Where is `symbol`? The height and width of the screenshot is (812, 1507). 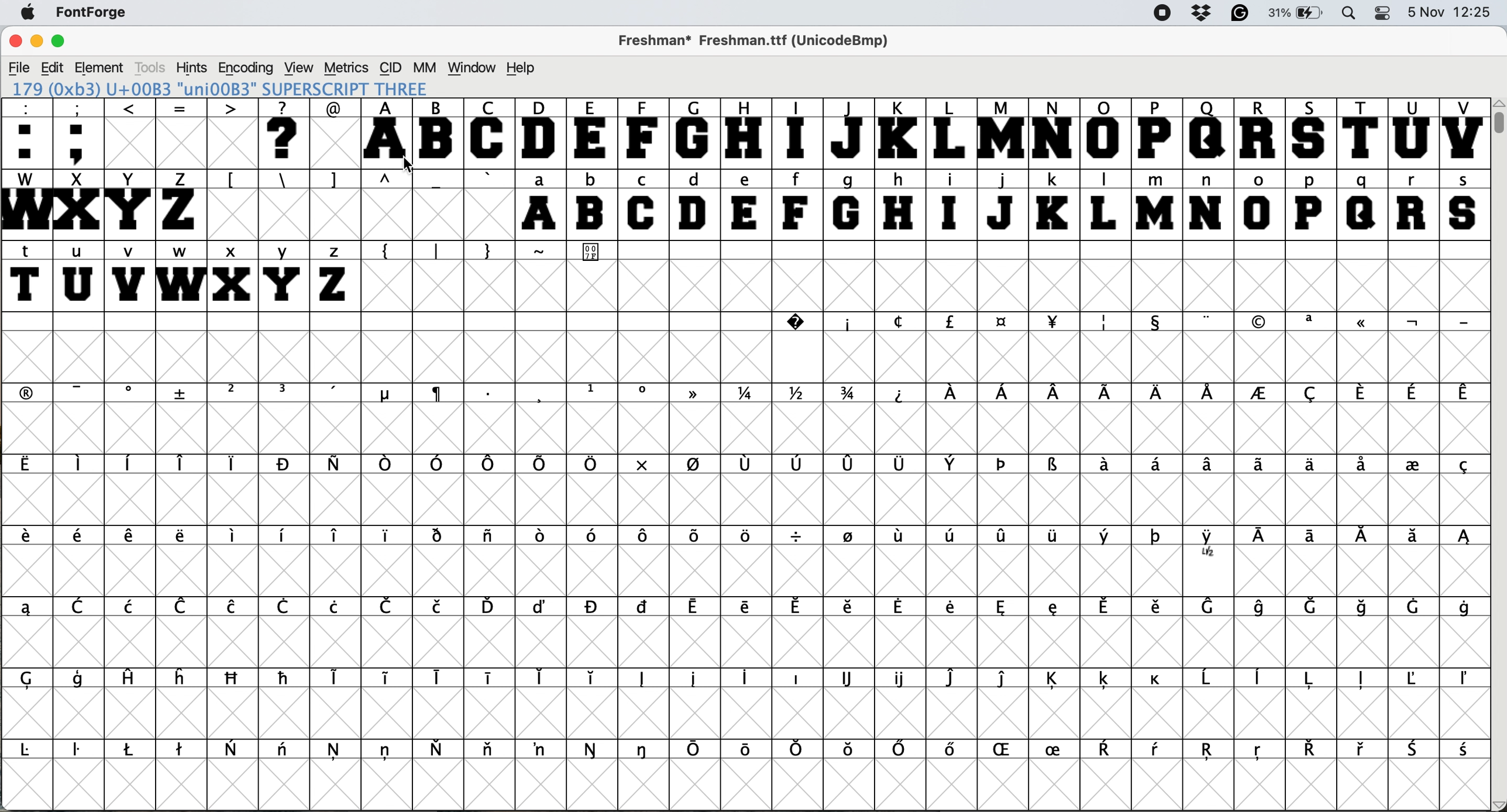
symbol is located at coordinates (439, 395).